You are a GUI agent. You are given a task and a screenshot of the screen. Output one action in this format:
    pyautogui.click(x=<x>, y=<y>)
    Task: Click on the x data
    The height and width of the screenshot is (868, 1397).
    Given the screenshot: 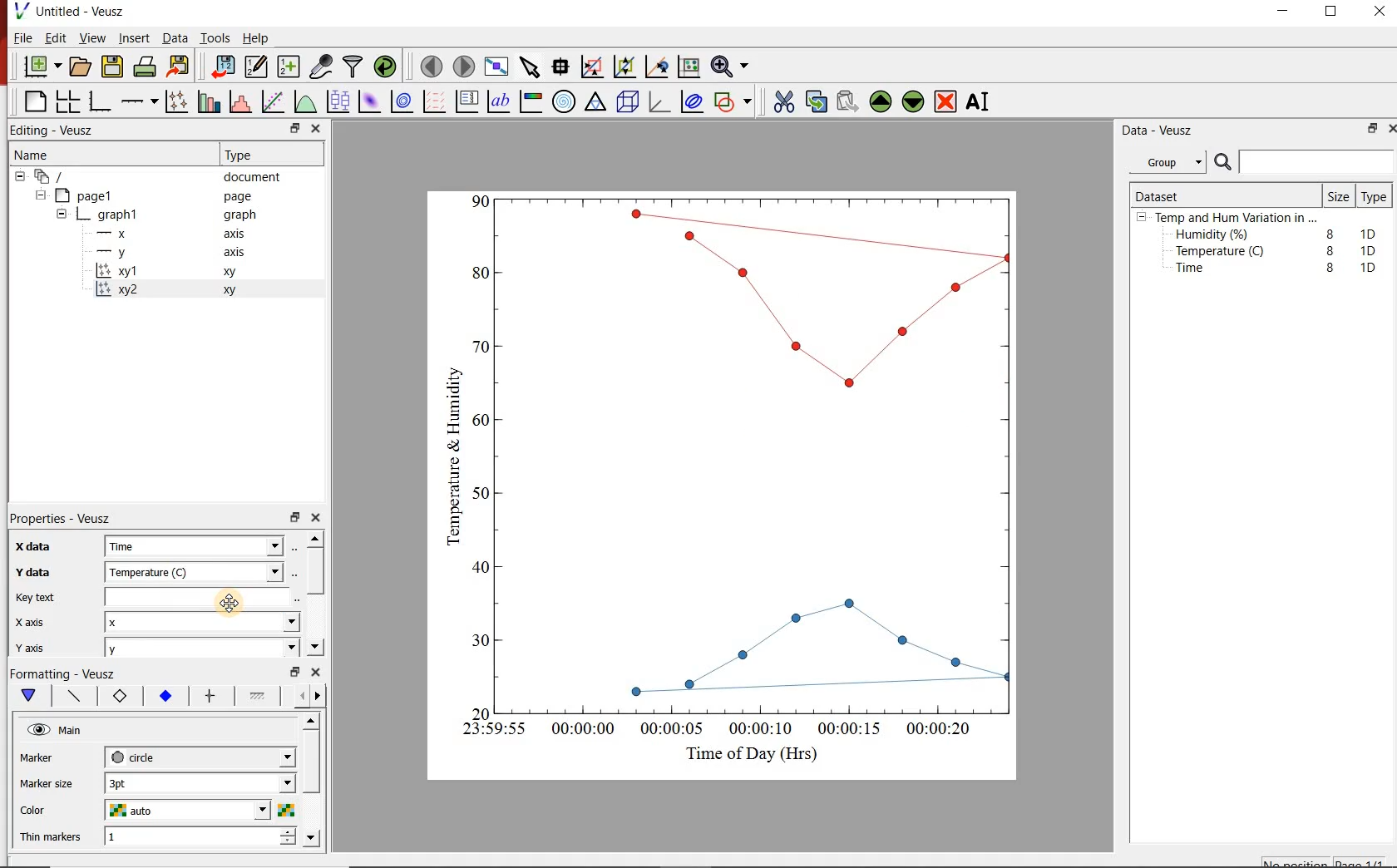 What is the action you would take?
    pyautogui.click(x=42, y=542)
    